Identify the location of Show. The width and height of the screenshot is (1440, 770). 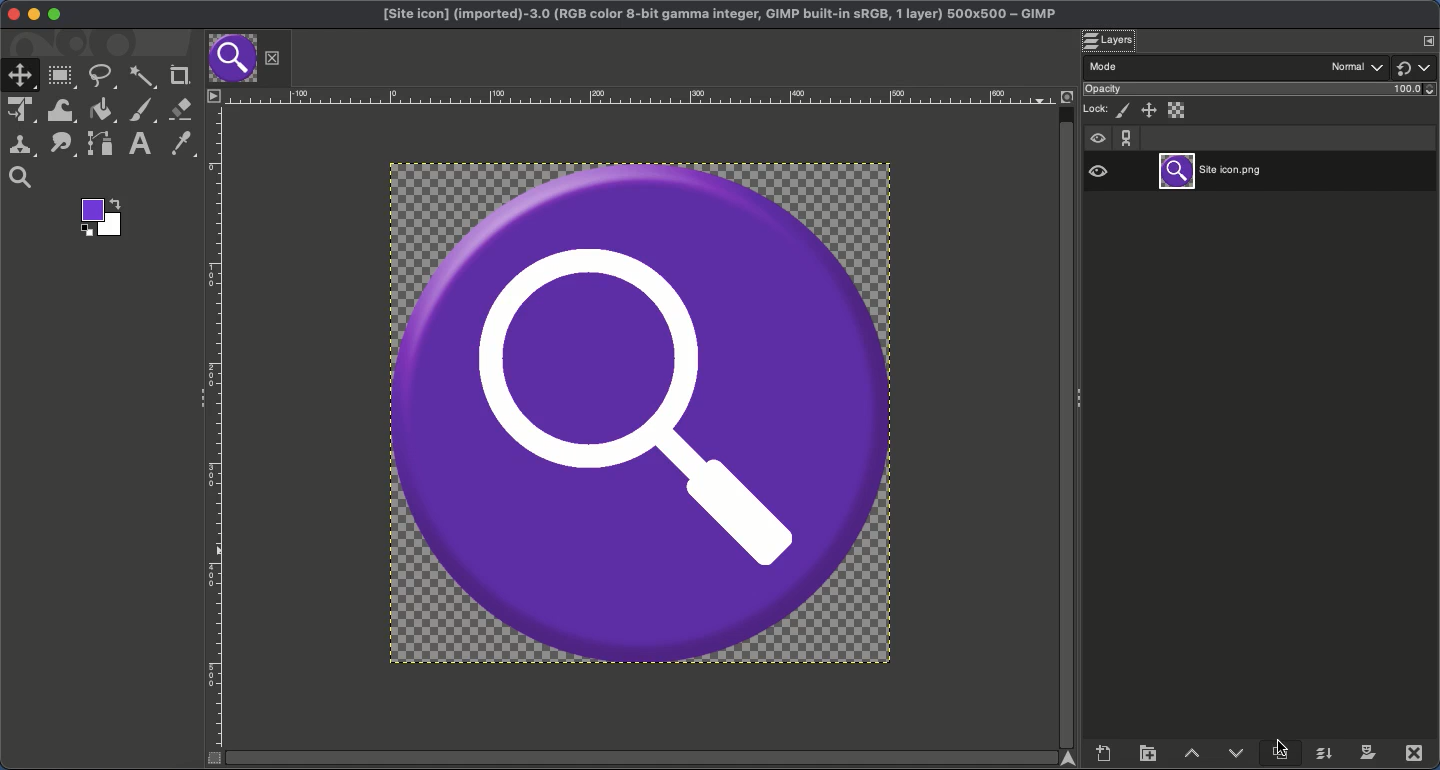
(1098, 168).